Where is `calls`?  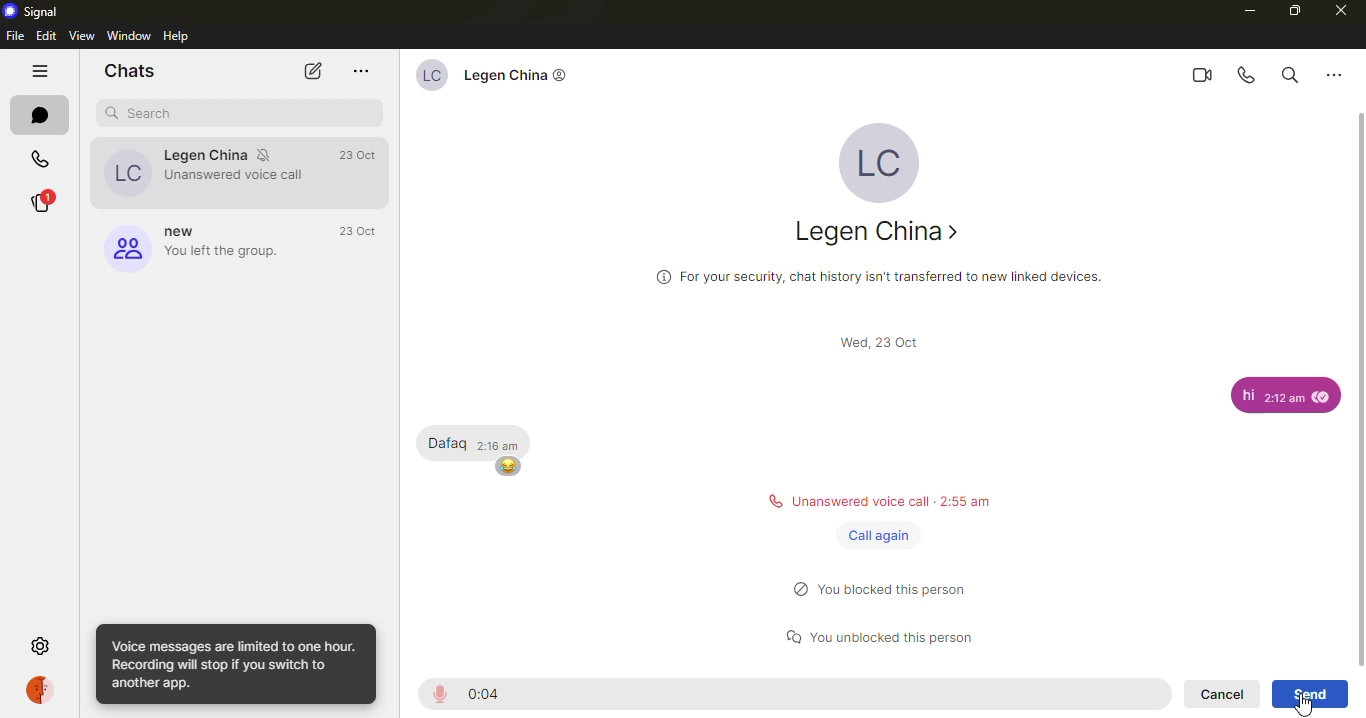
calls is located at coordinates (45, 158).